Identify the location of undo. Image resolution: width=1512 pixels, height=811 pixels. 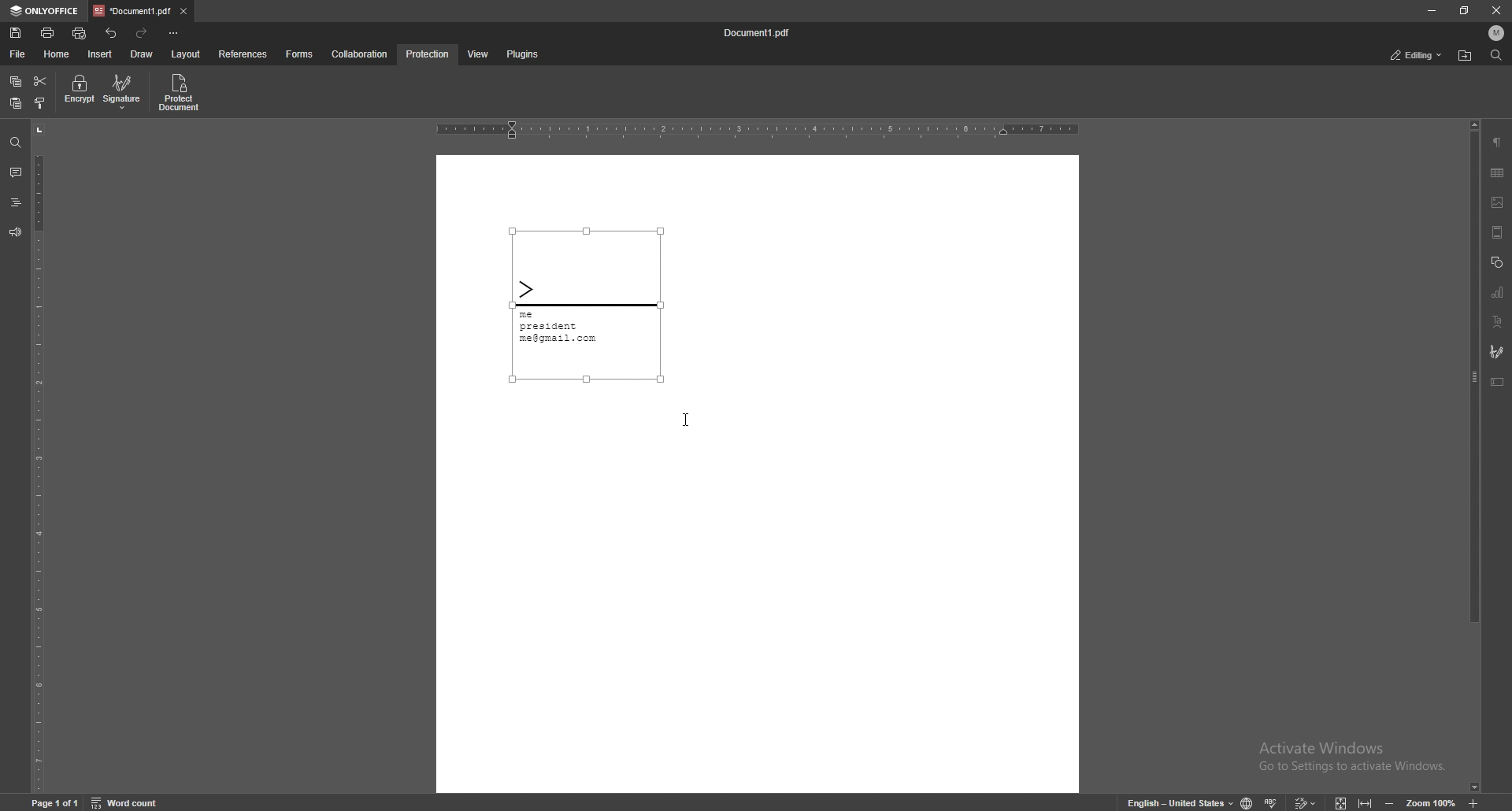
(113, 33).